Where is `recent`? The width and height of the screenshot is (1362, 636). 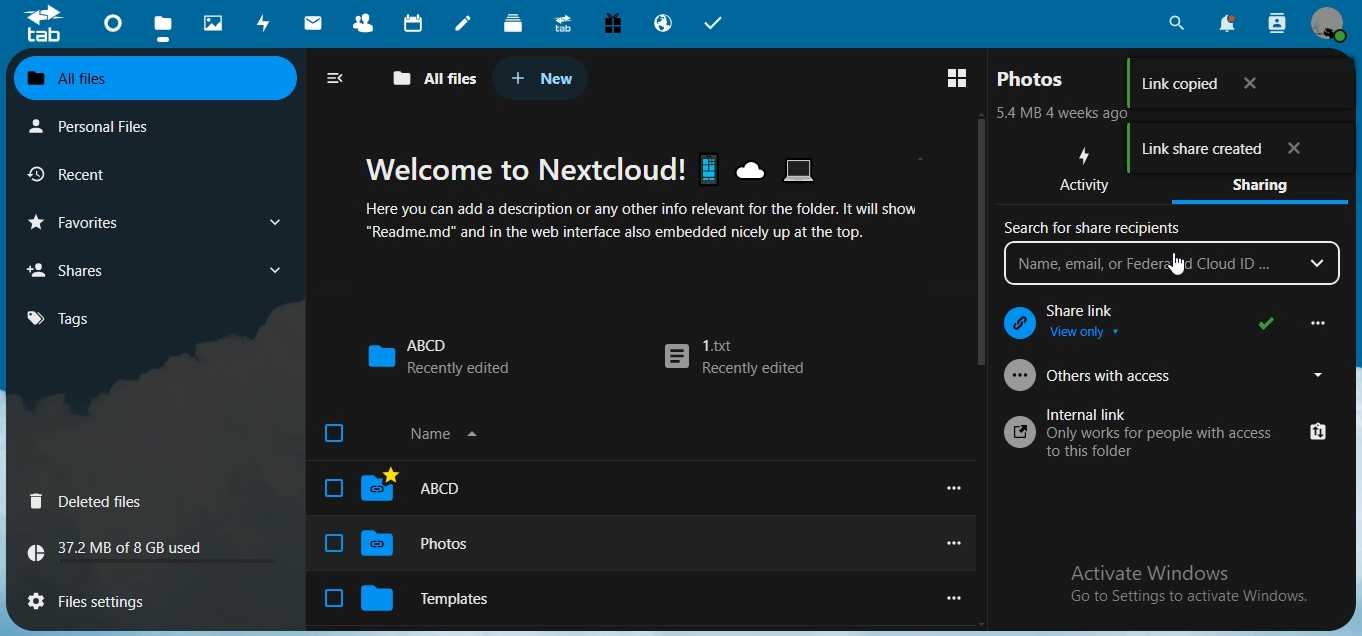
recent is located at coordinates (103, 175).